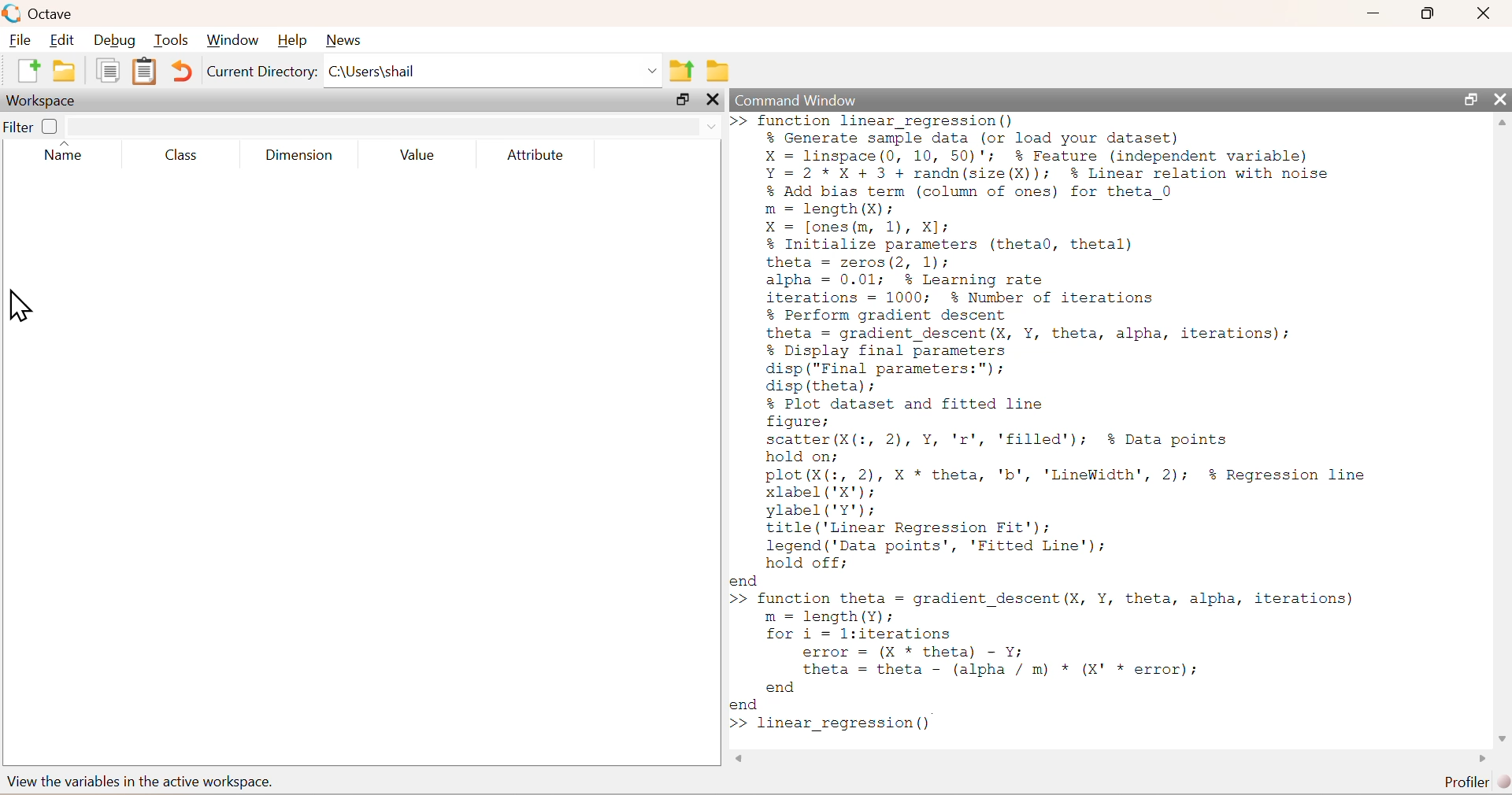 This screenshot has width=1512, height=795. Describe the element at coordinates (108, 70) in the screenshot. I see `document` at that location.